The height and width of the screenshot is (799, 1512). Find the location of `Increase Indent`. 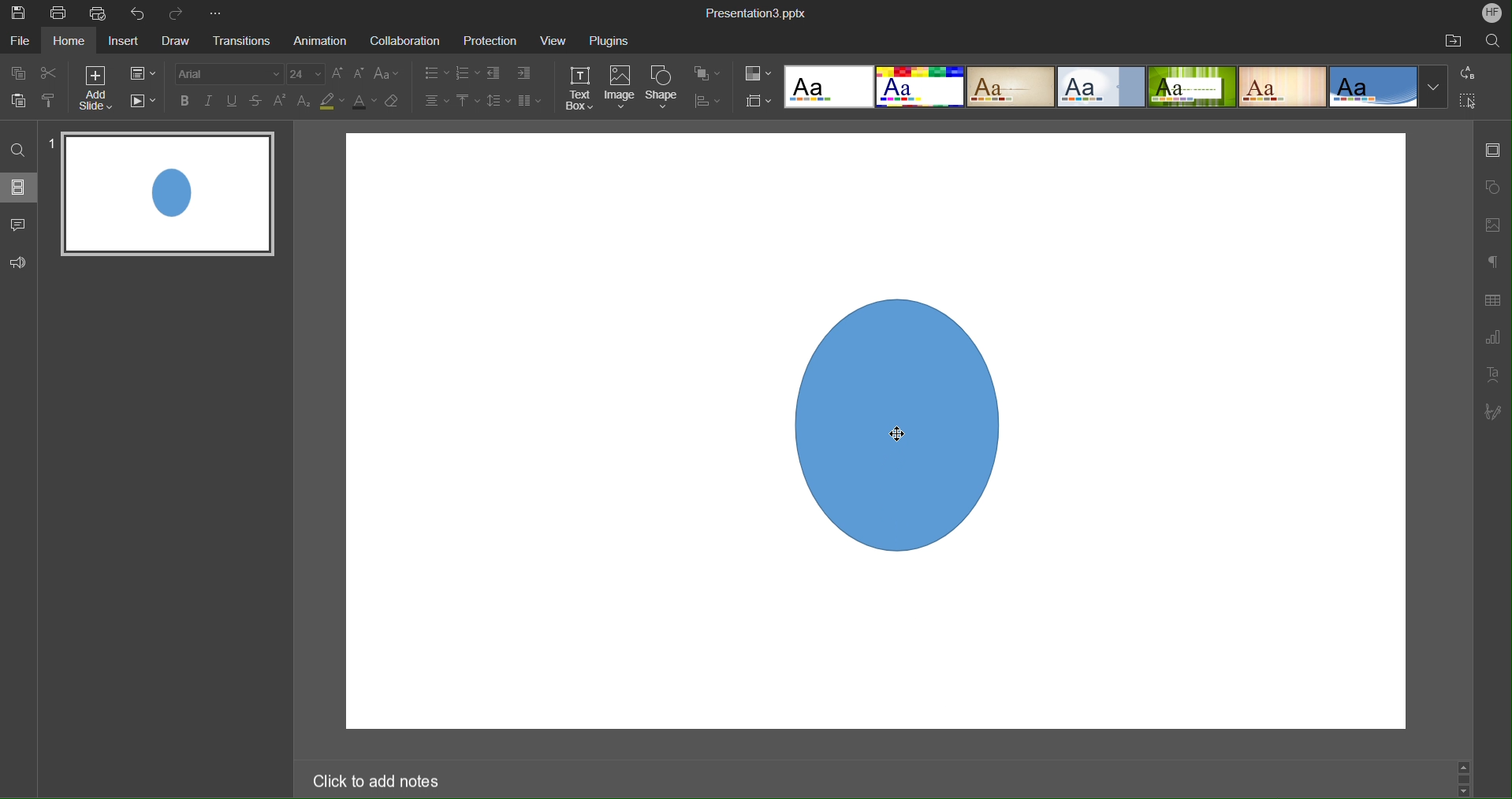

Increase Indent is located at coordinates (524, 73).